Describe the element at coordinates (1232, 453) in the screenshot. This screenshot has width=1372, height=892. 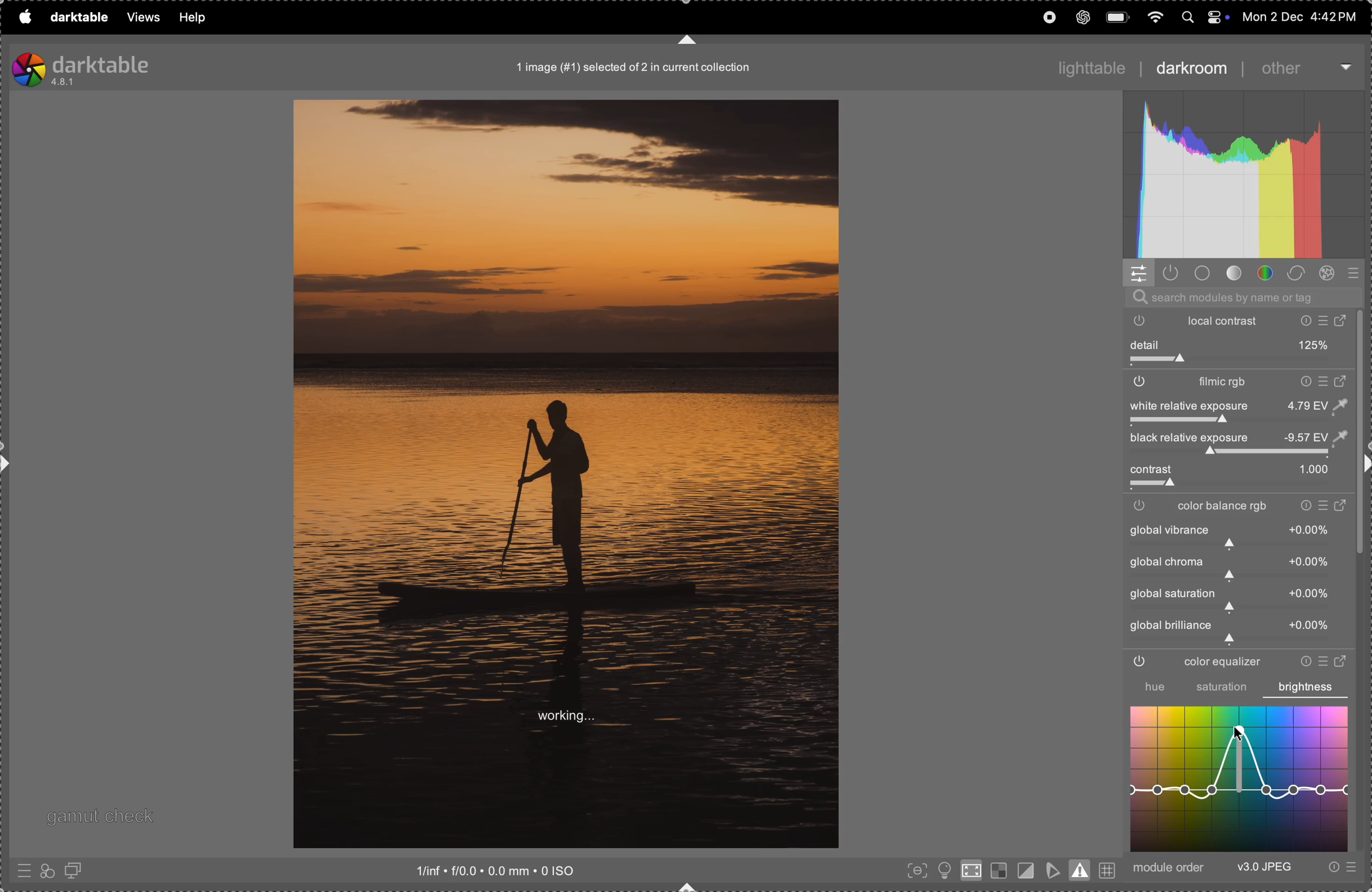
I see `togglebar` at that location.